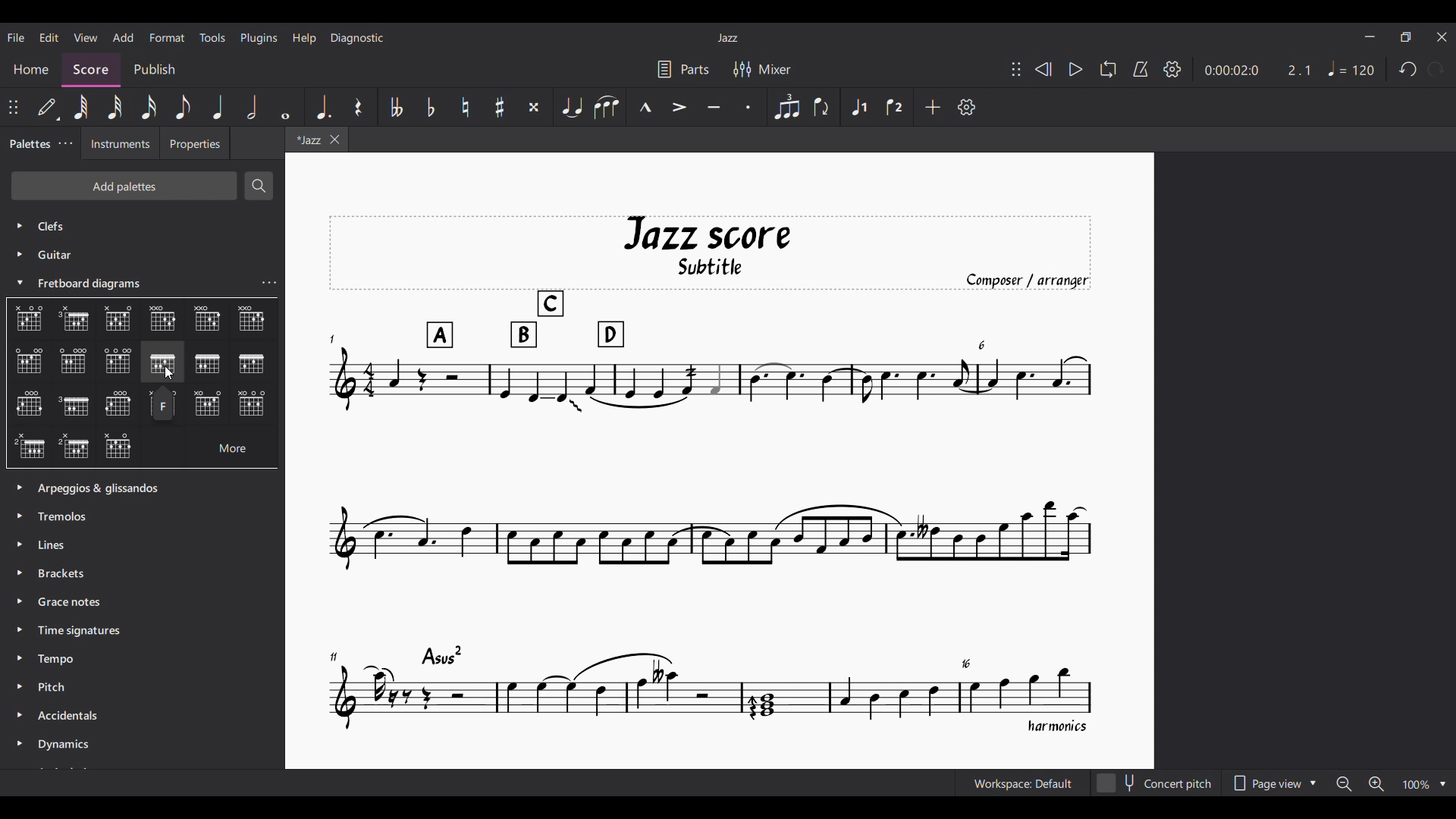  Describe the element at coordinates (683, 69) in the screenshot. I see `Parts settings` at that location.